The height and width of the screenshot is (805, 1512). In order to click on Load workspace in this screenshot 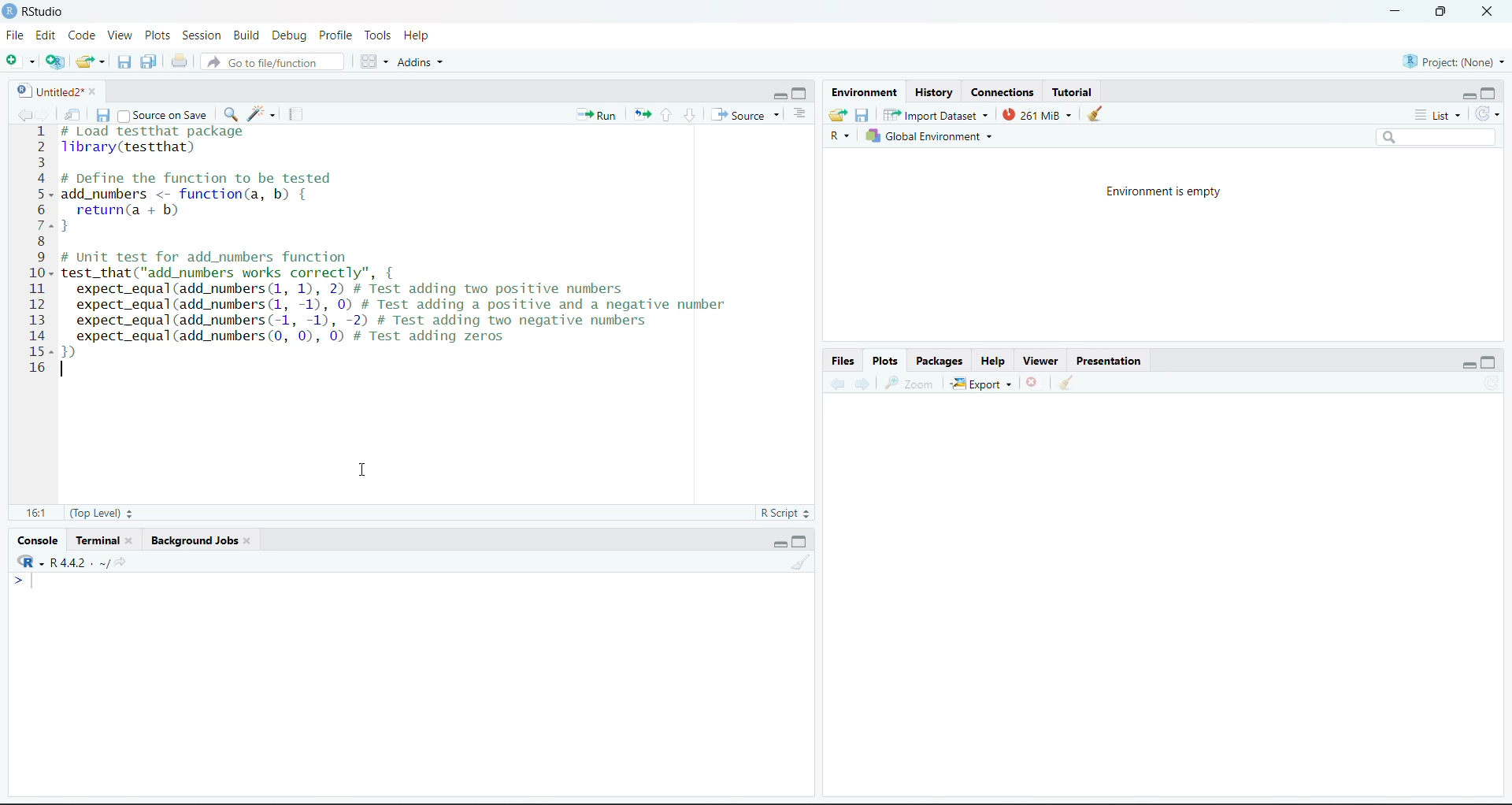, I will do `click(839, 114)`.